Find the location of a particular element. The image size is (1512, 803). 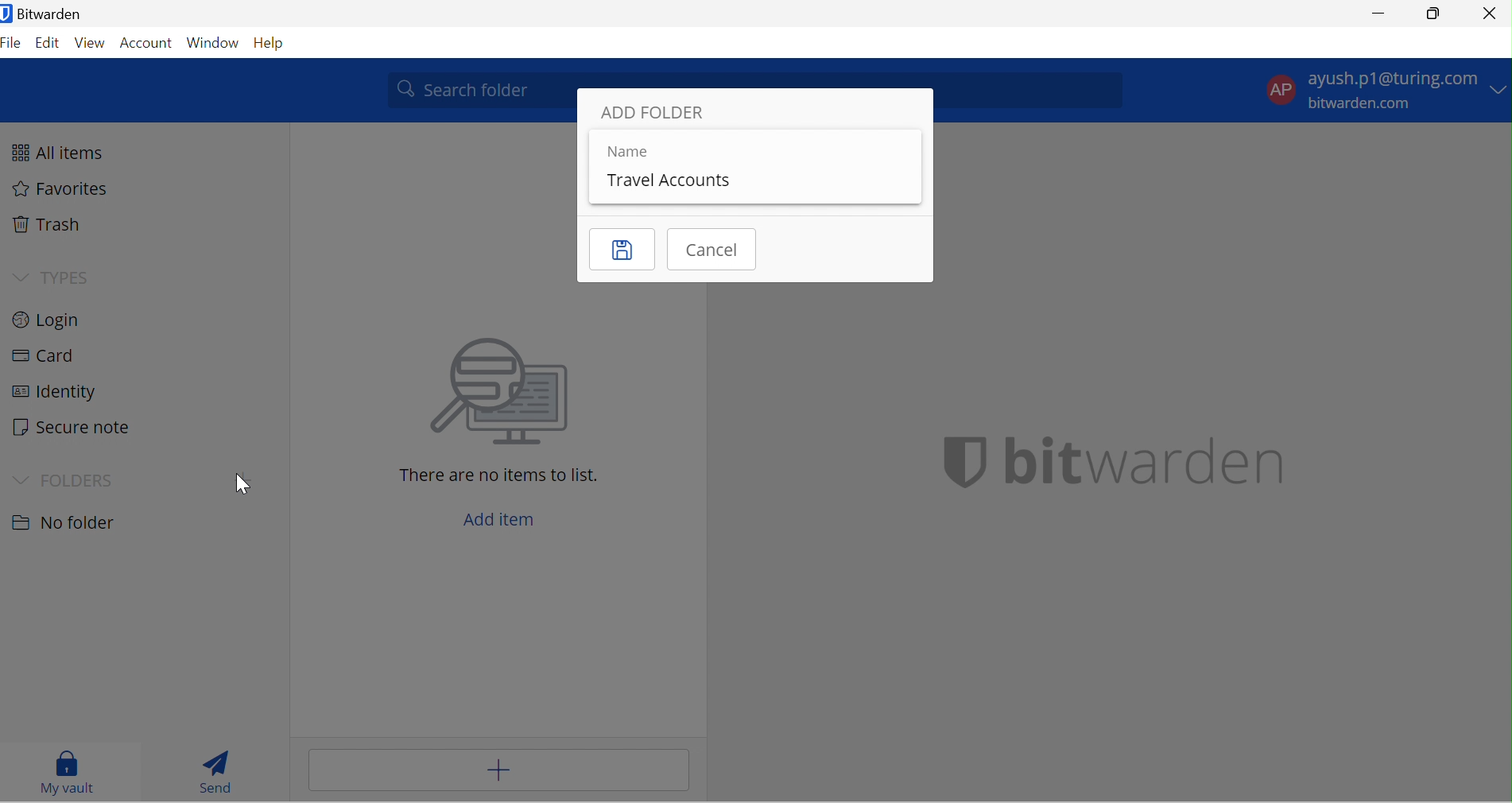

Image is located at coordinates (504, 392).